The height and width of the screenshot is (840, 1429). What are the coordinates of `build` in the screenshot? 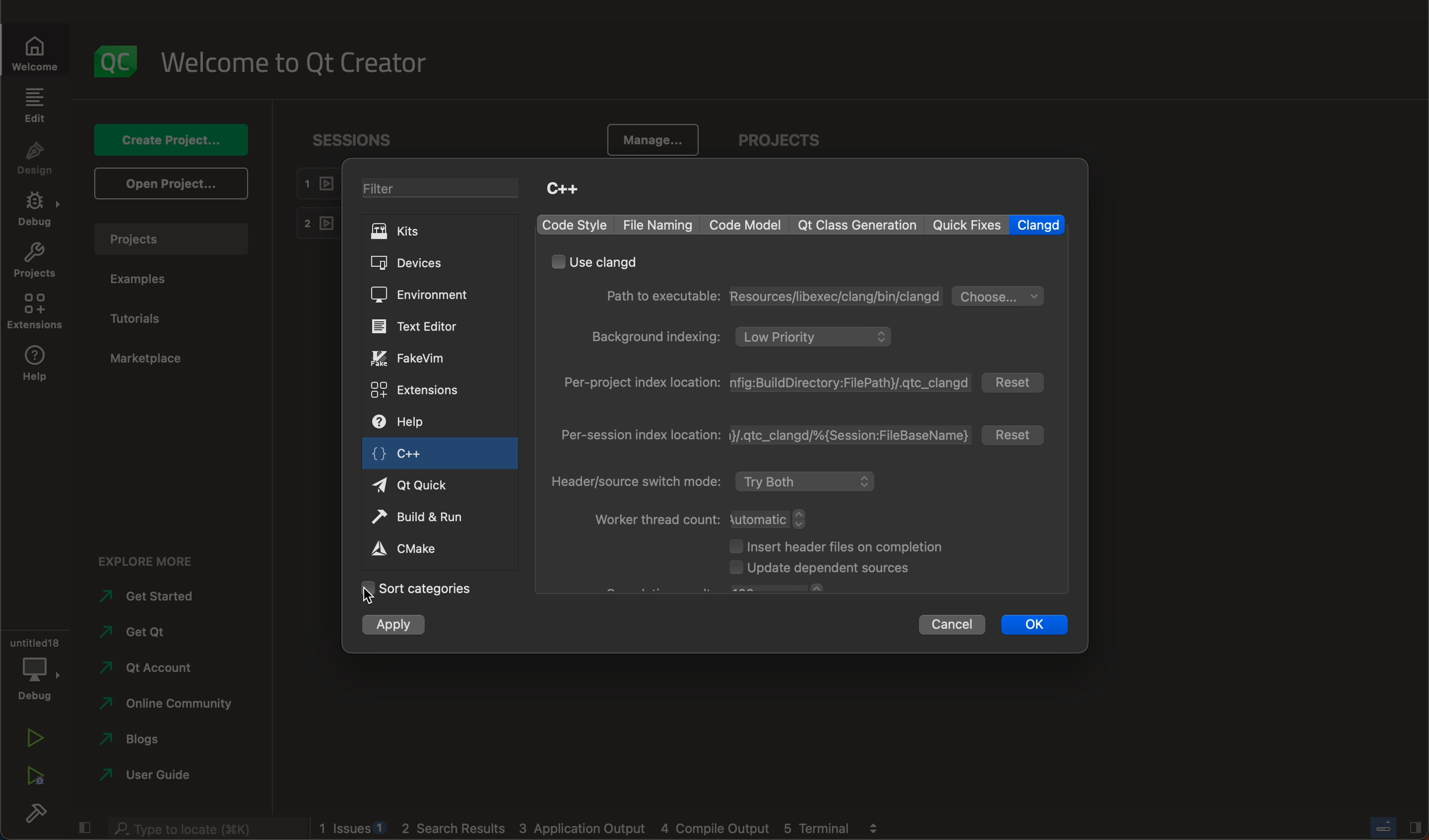 It's located at (34, 812).